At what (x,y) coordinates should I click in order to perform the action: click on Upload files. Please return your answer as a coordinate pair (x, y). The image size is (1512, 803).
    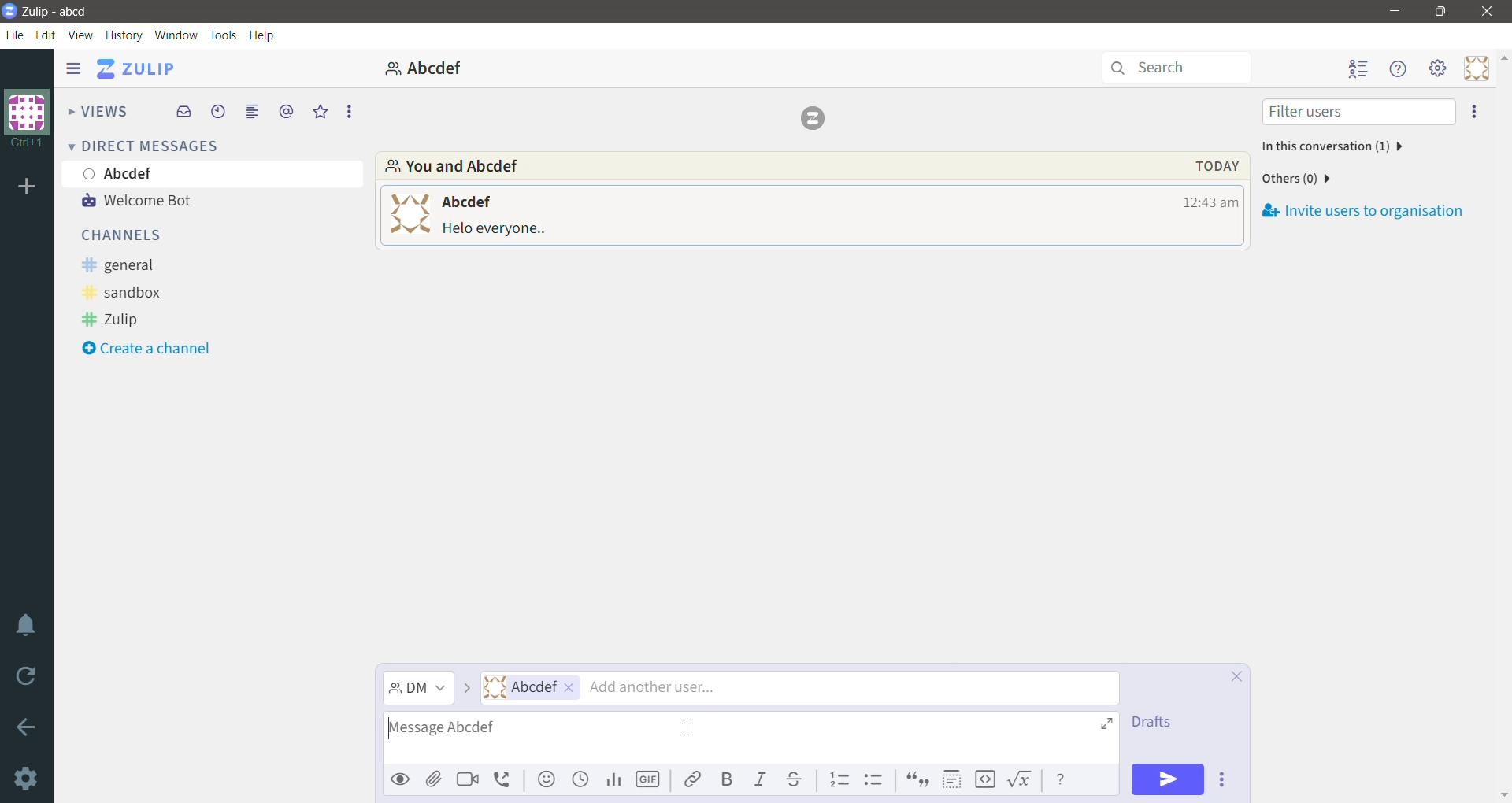
    Looking at the image, I should click on (434, 779).